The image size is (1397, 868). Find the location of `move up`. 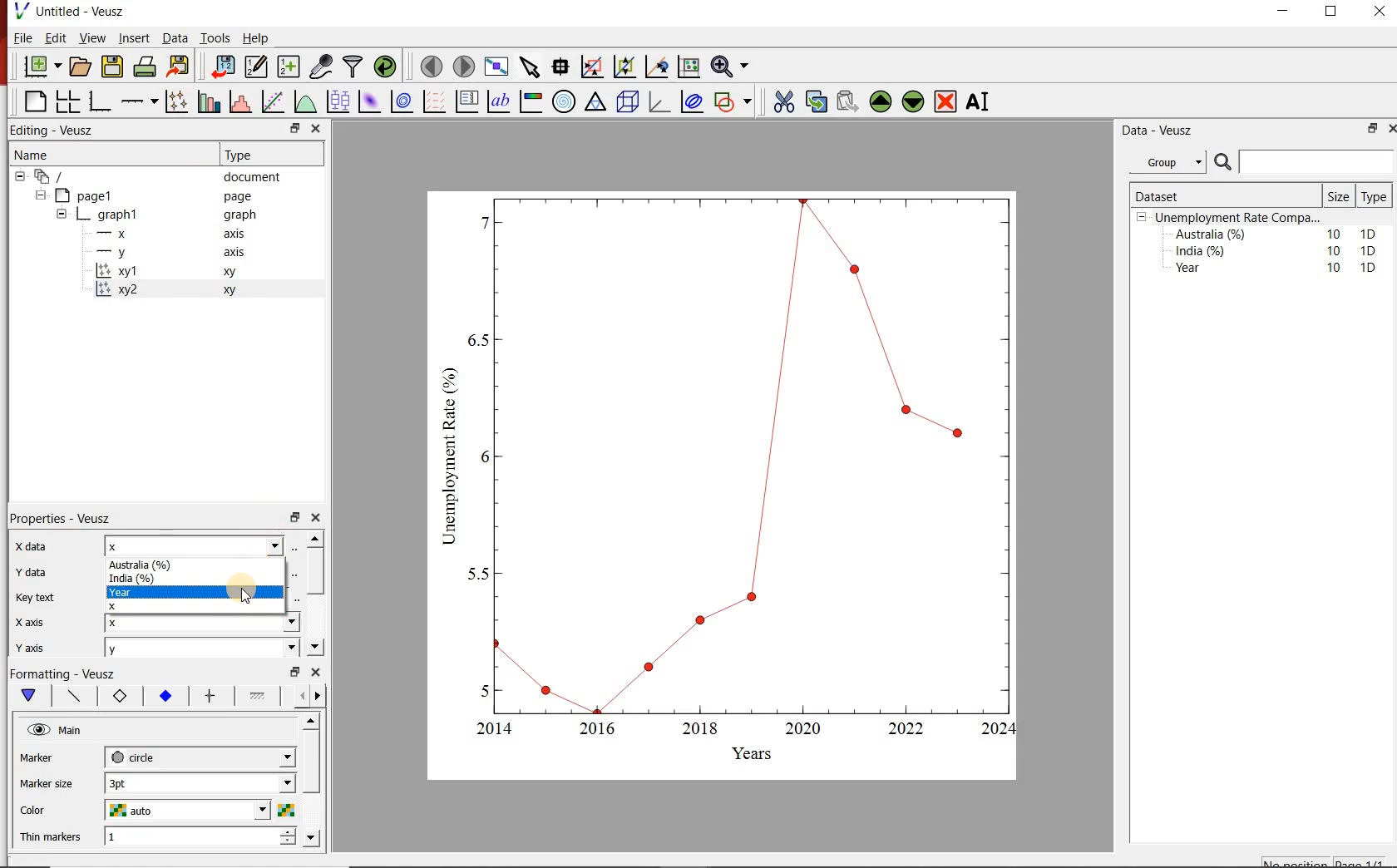

move up is located at coordinates (315, 538).